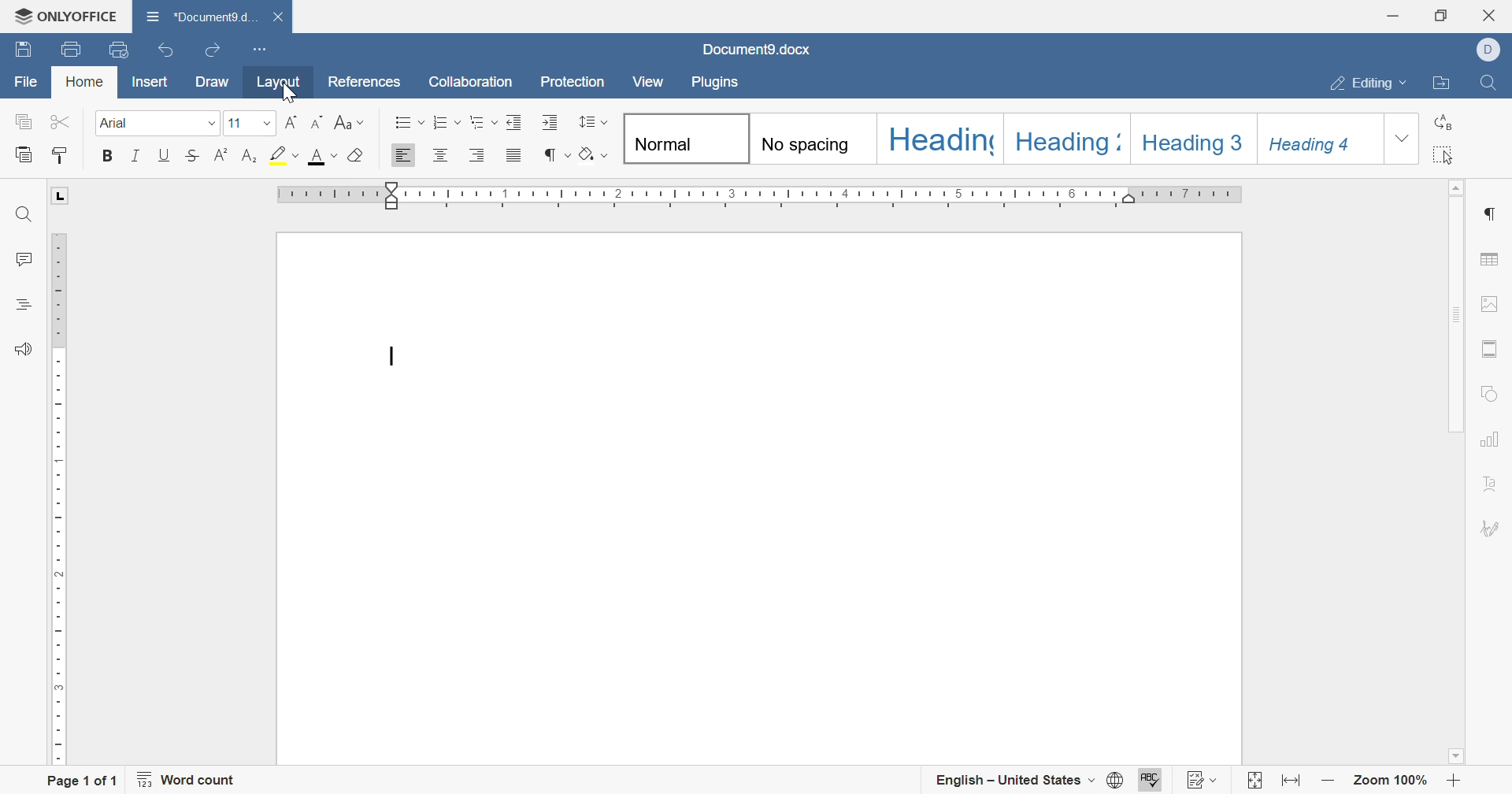 The image size is (1512, 794). What do you see at coordinates (451, 124) in the screenshot?
I see `numbering` at bounding box center [451, 124].